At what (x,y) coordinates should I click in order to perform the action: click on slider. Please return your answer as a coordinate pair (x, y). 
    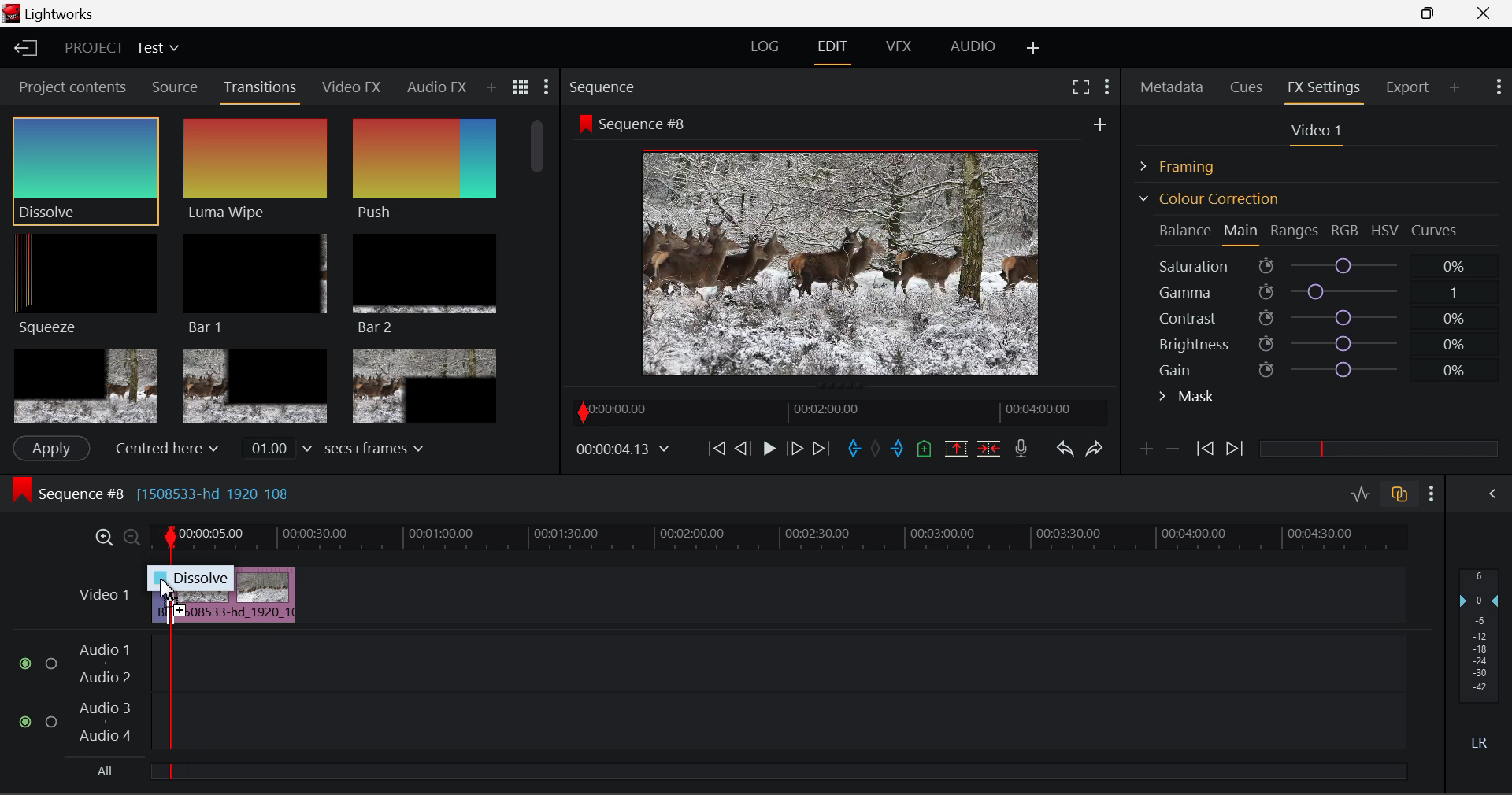
    Looking at the image, I should click on (1378, 448).